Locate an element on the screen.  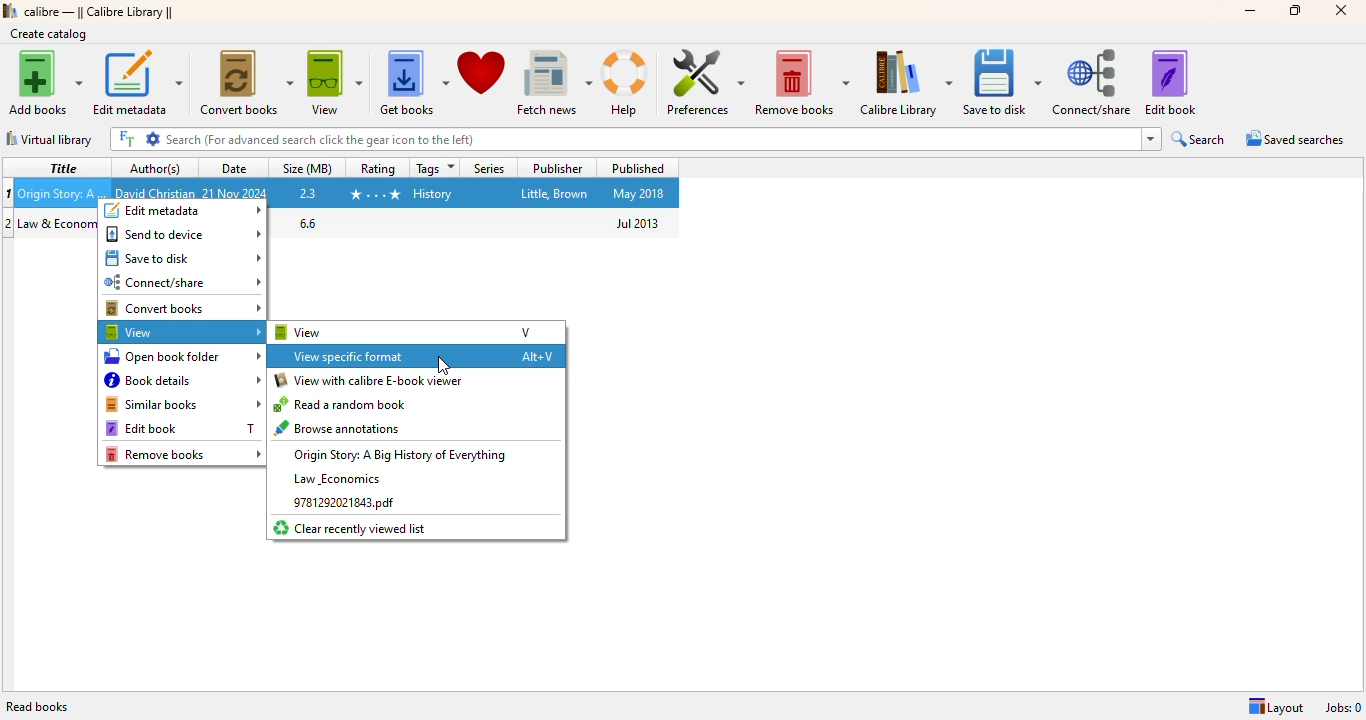
size (MB) is located at coordinates (309, 167).